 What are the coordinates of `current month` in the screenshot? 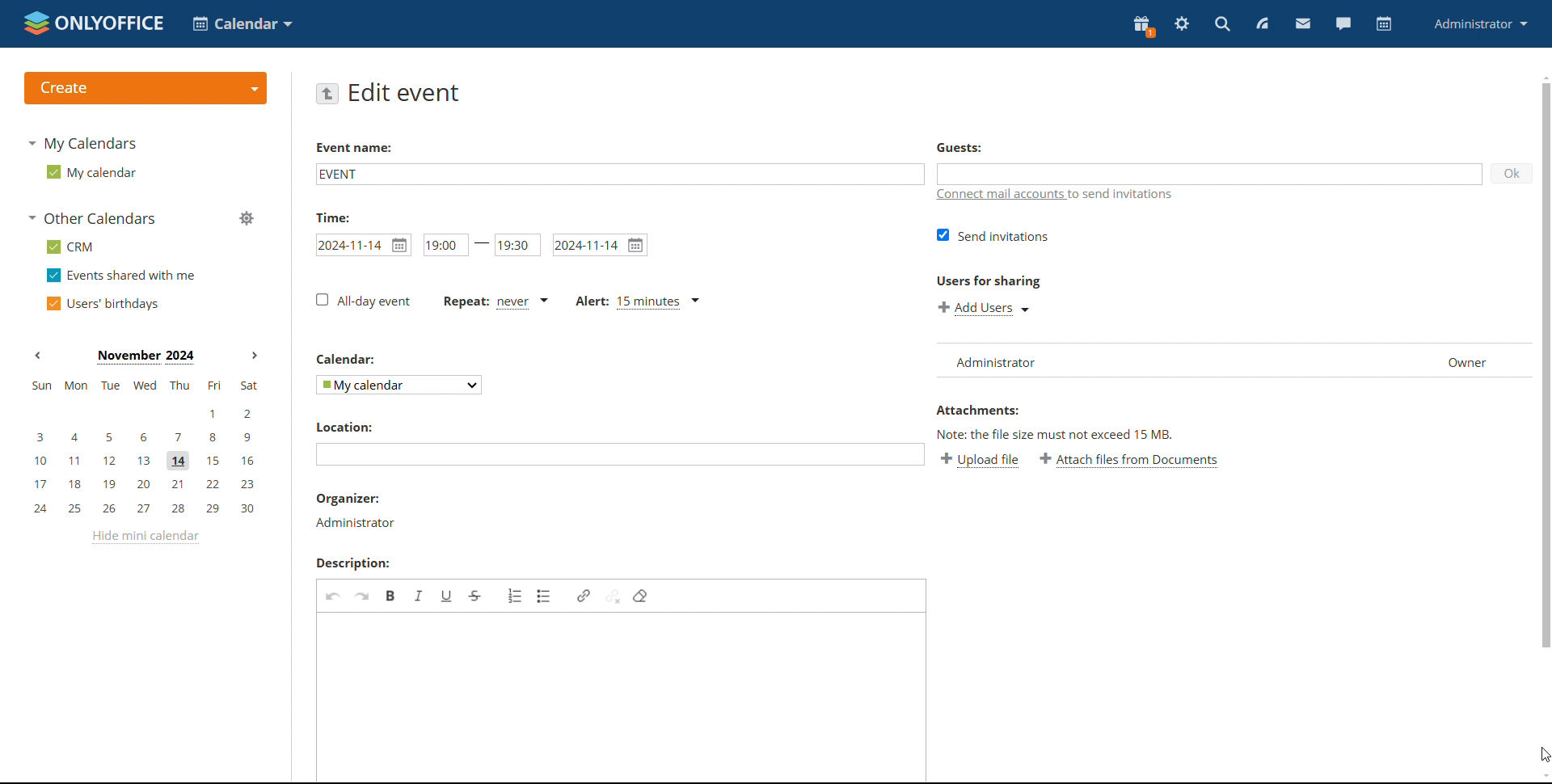 It's located at (145, 358).